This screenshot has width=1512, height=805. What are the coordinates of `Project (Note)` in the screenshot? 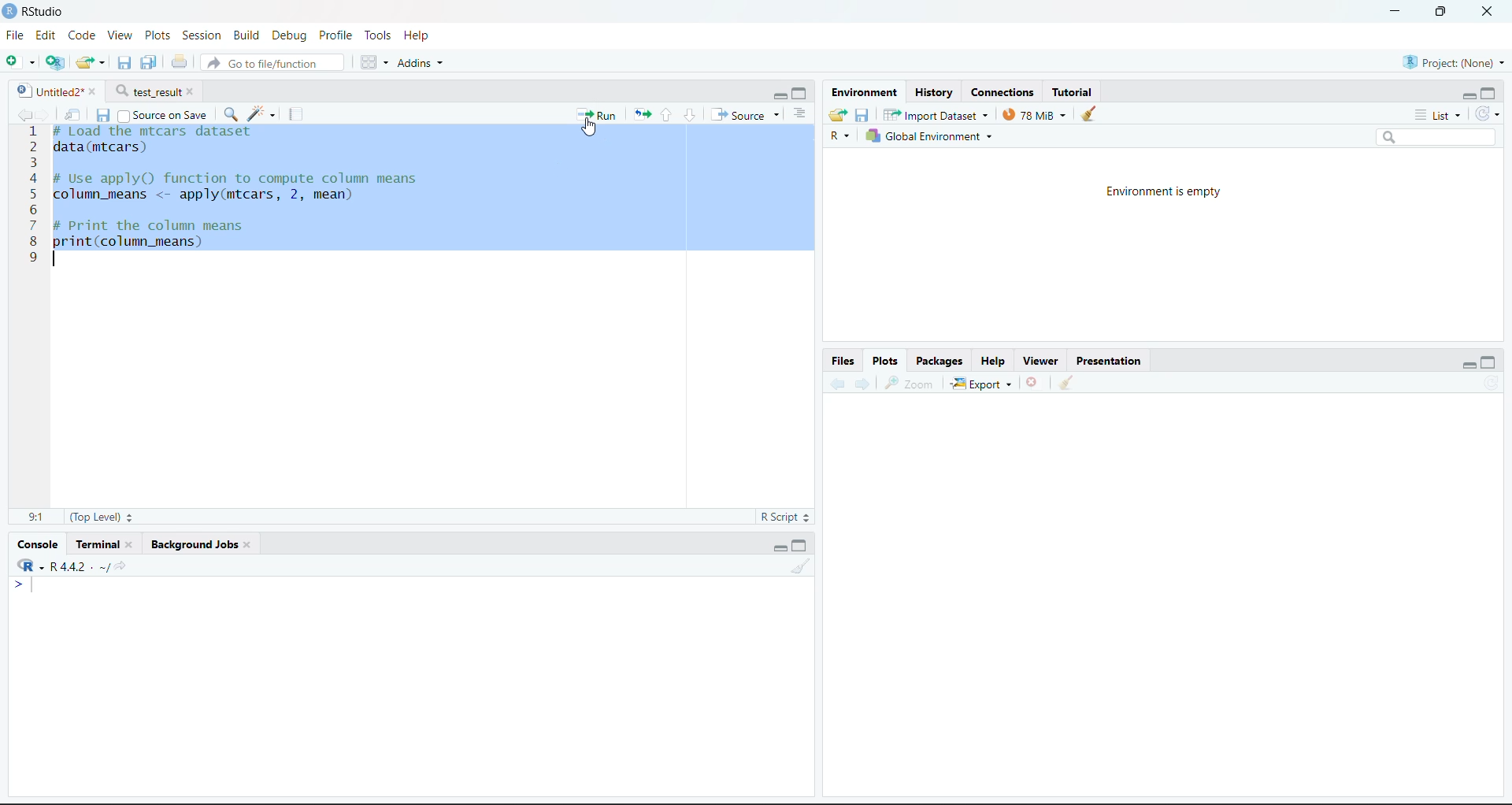 It's located at (1451, 61).